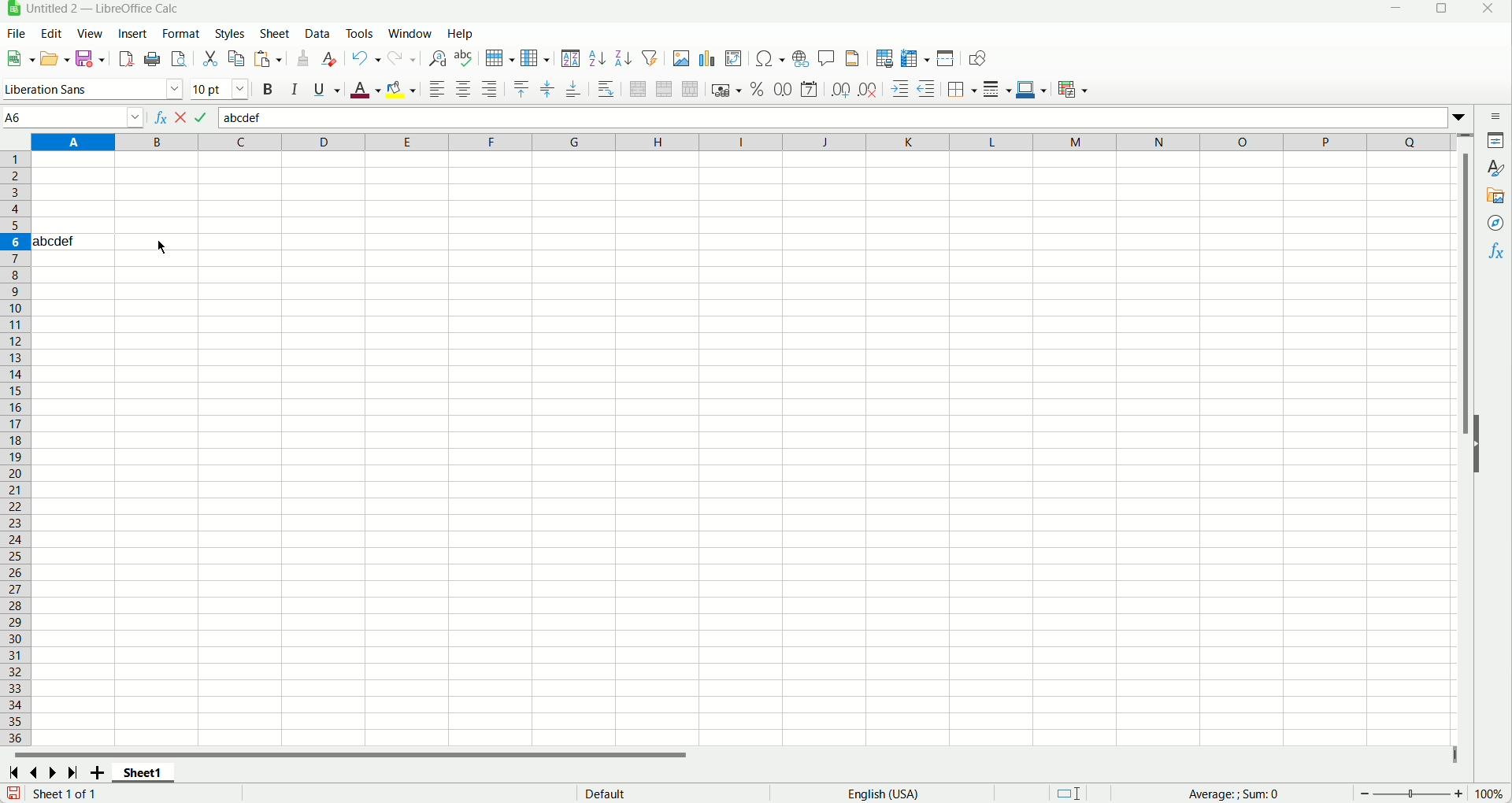 The width and height of the screenshot is (1512, 803). Describe the element at coordinates (1497, 117) in the screenshot. I see `sidebar settings` at that location.